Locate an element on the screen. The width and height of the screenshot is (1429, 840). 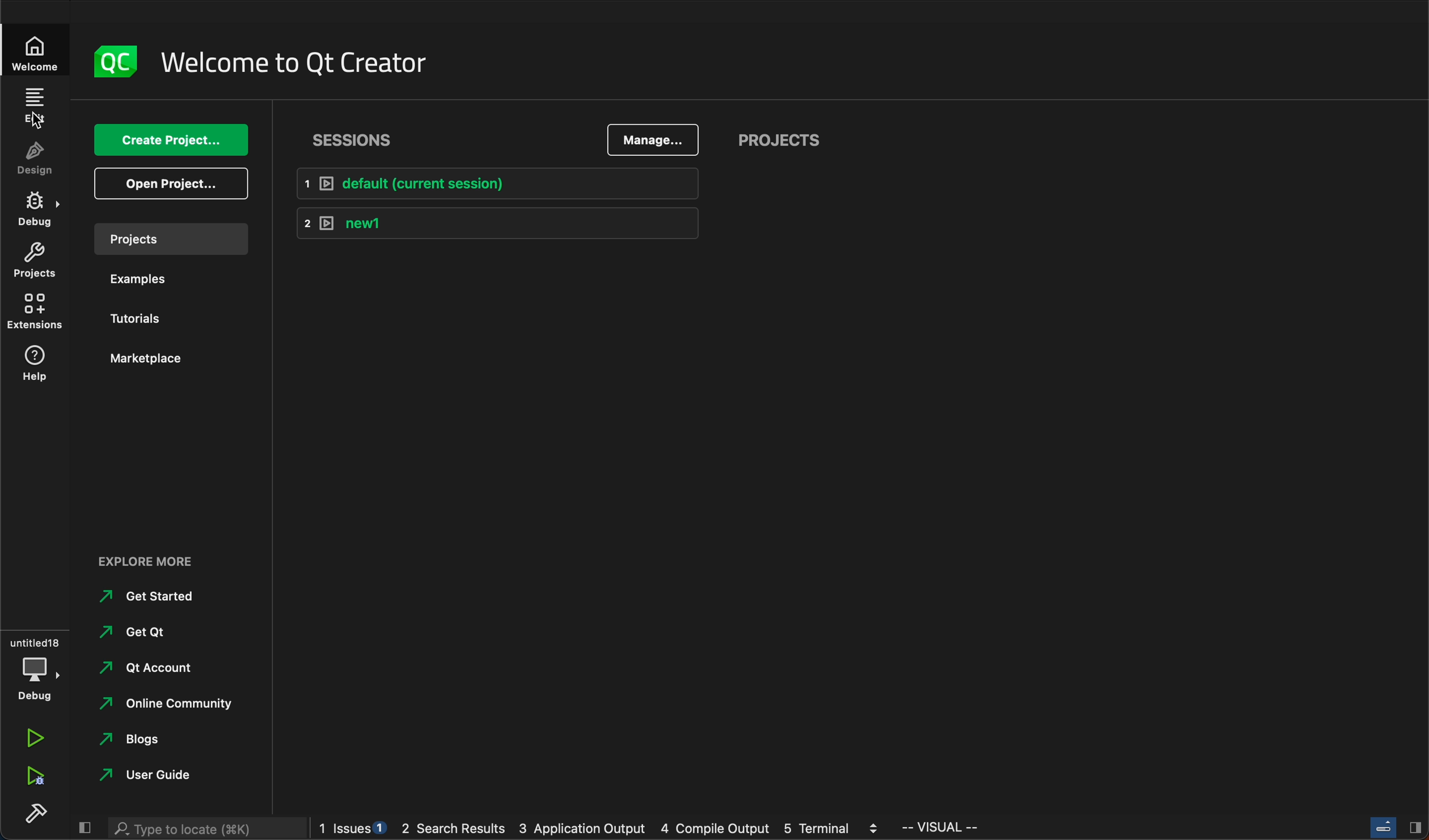
debug is located at coordinates (34, 661).